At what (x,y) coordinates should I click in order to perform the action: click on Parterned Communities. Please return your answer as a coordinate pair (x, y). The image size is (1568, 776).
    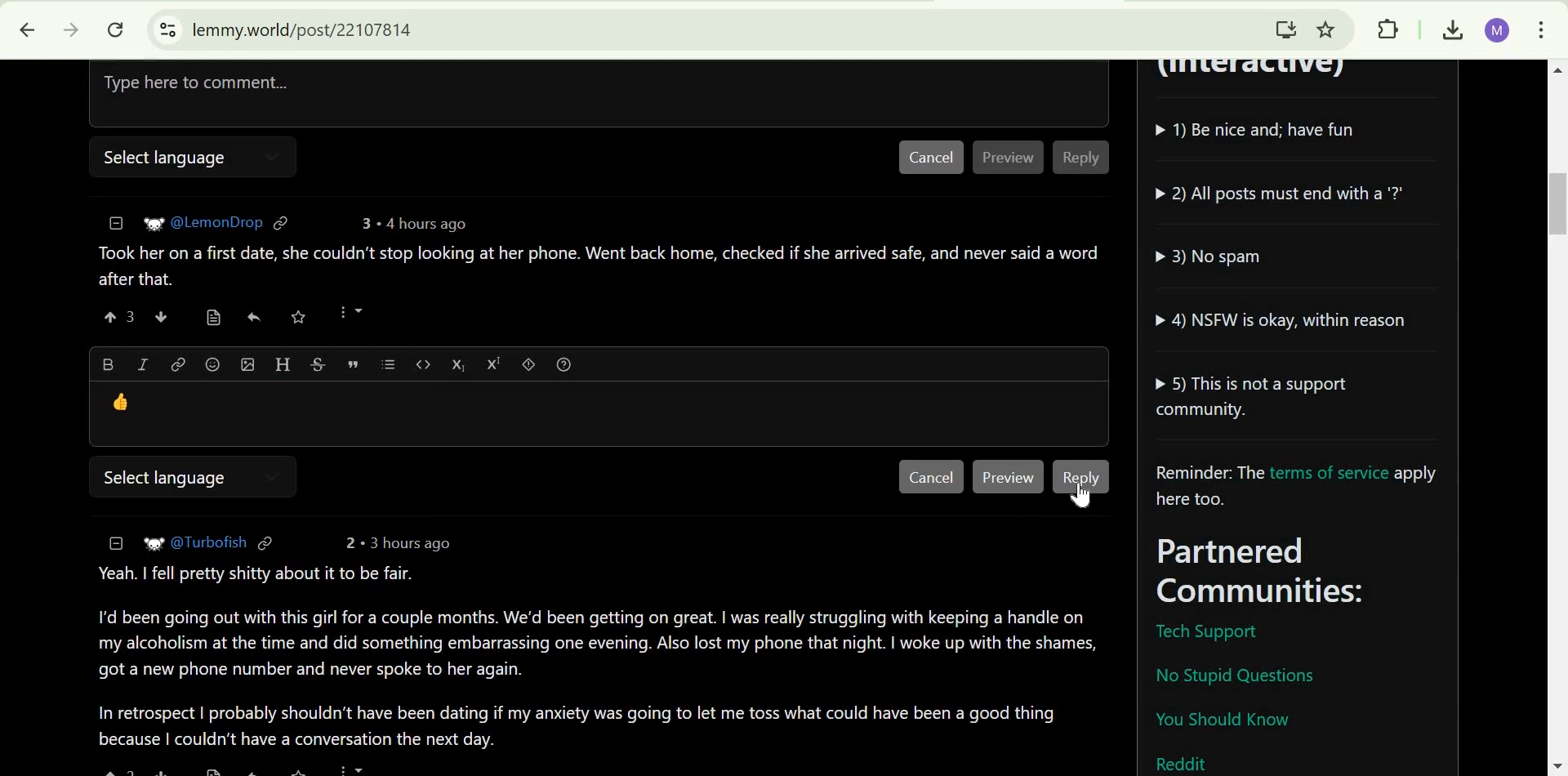
    Looking at the image, I should click on (1304, 572).